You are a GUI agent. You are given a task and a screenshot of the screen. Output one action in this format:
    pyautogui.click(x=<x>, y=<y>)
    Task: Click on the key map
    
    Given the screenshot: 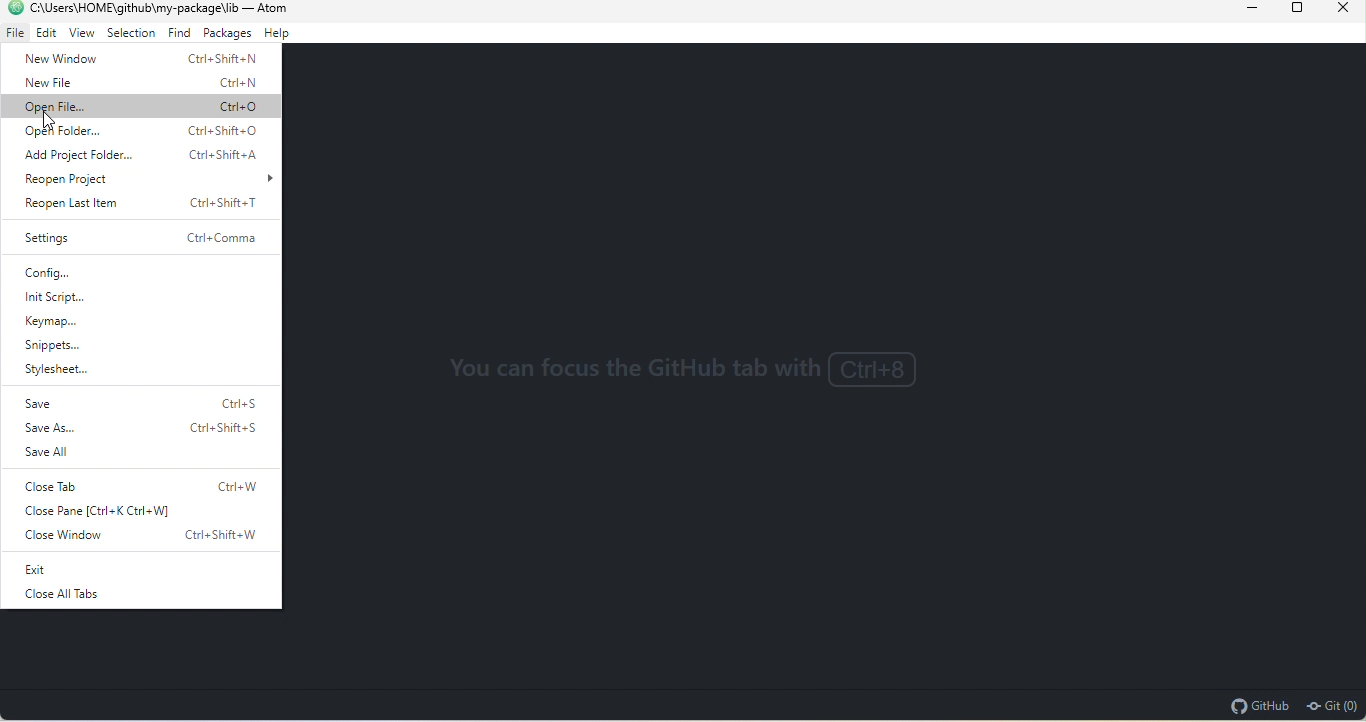 What is the action you would take?
    pyautogui.click(x=63, y=324)
    